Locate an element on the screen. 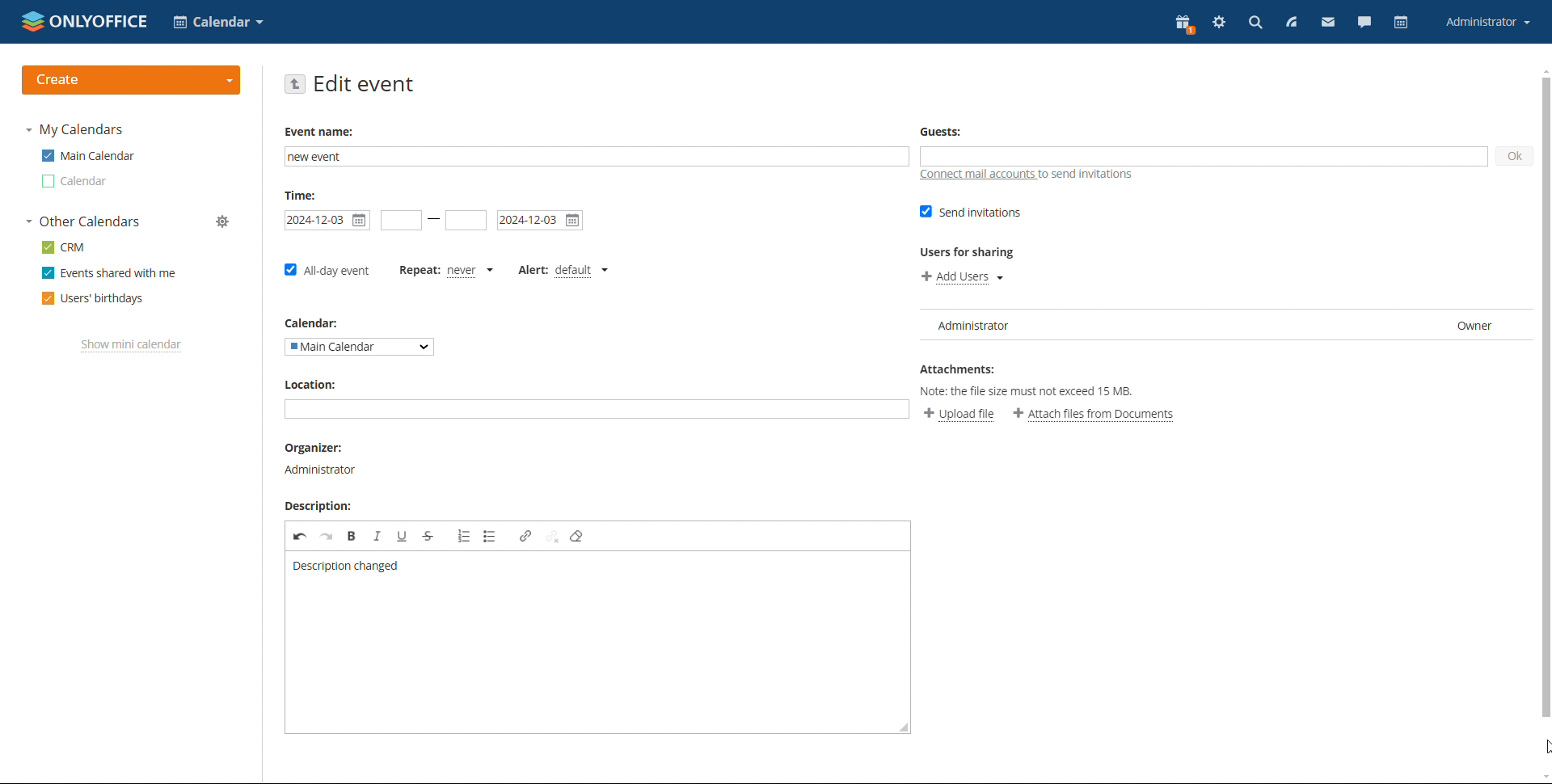 This screenshot has width=1552, height=784. users' birthdays is located at coordinates (94, 298).